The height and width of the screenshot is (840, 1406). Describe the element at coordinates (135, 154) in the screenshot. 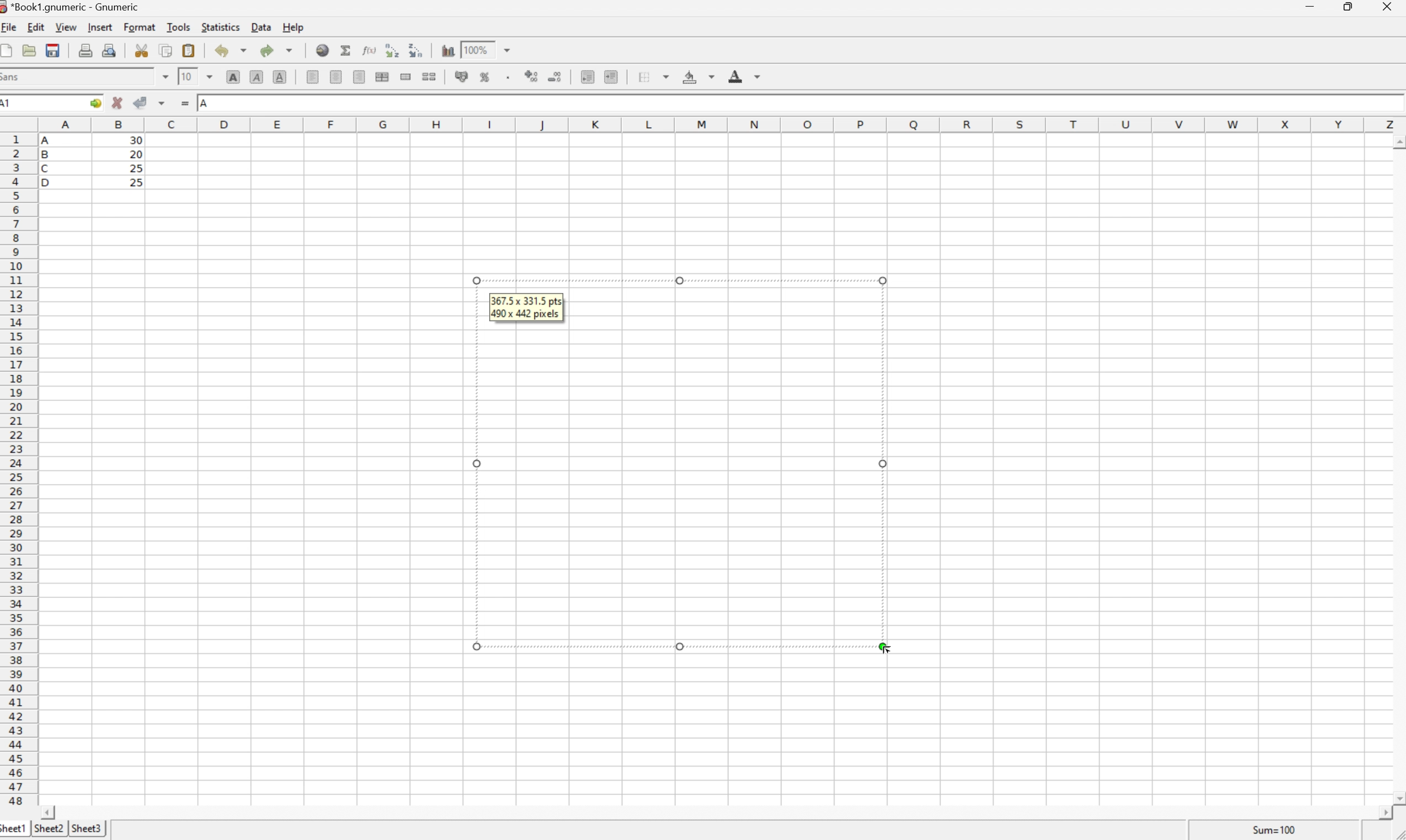

I see `20` at that location.